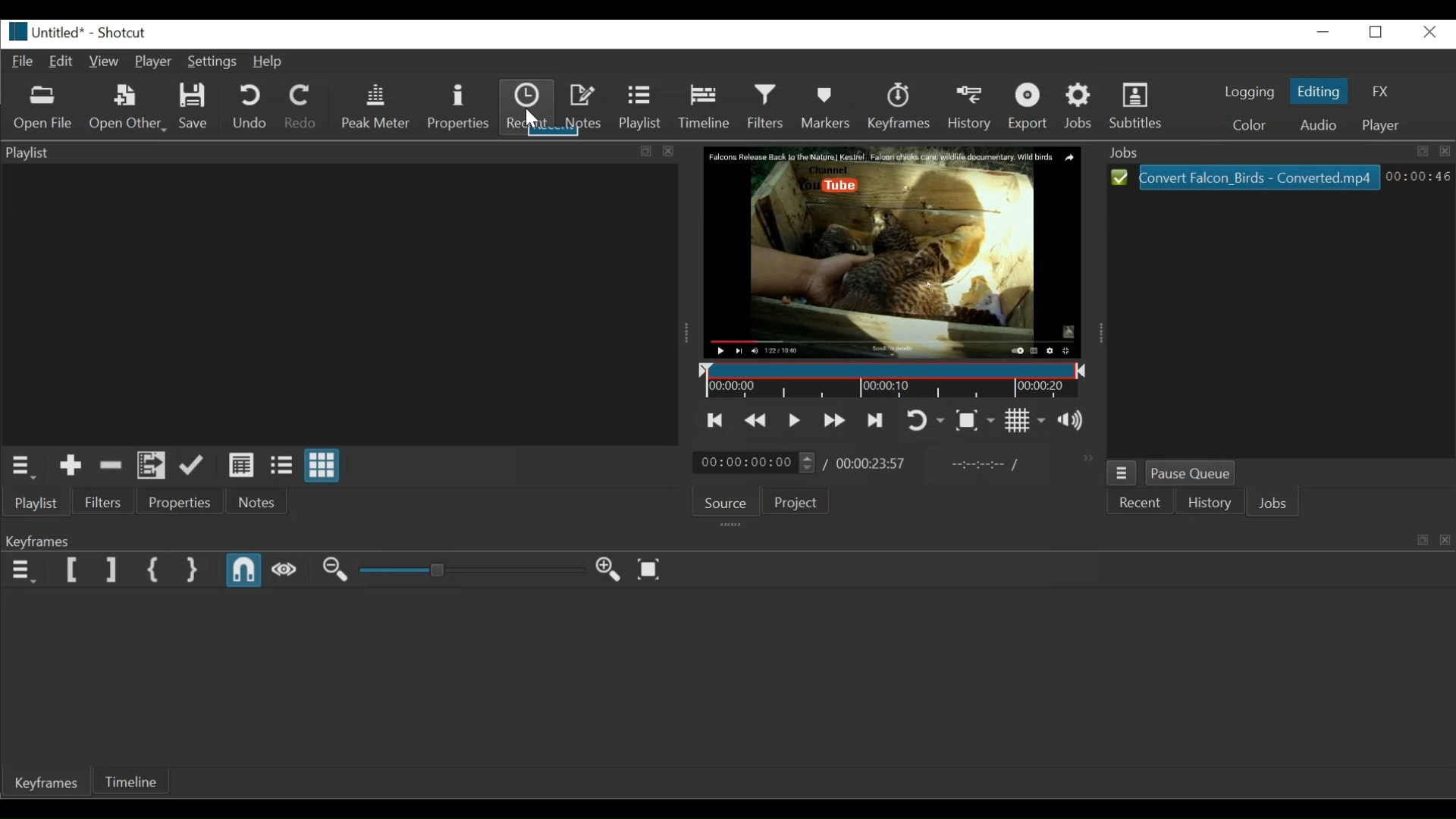  What do you see at coordinates (102, 502) in the screenshot?
I see `Filters` at bounding box center [102, 502].